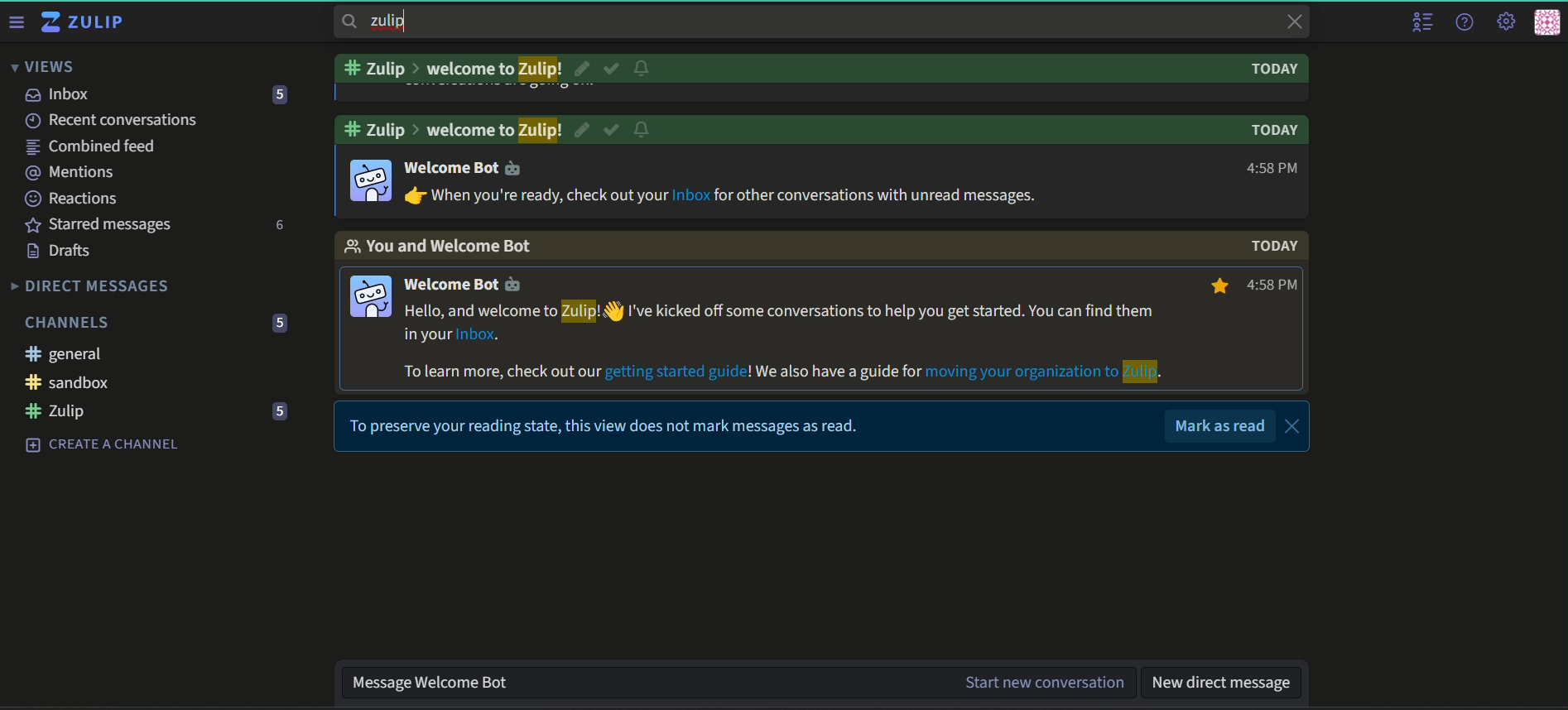  What do you see at coordinates (612, 311) in the screenshot?
I see `cursor` at bounding box center [612, 311].